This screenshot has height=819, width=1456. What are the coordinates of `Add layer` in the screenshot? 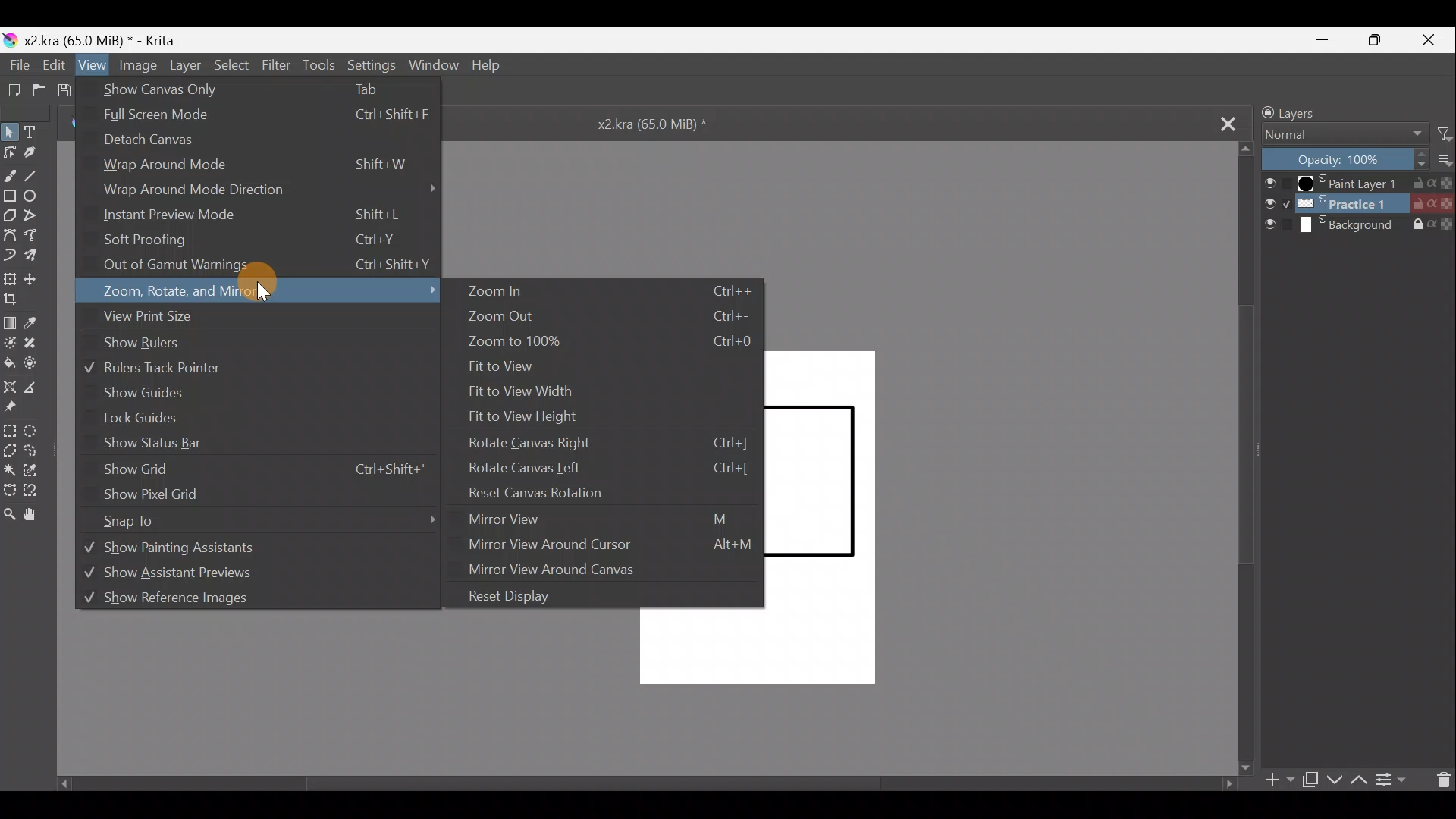 It's located at (1279, 782).